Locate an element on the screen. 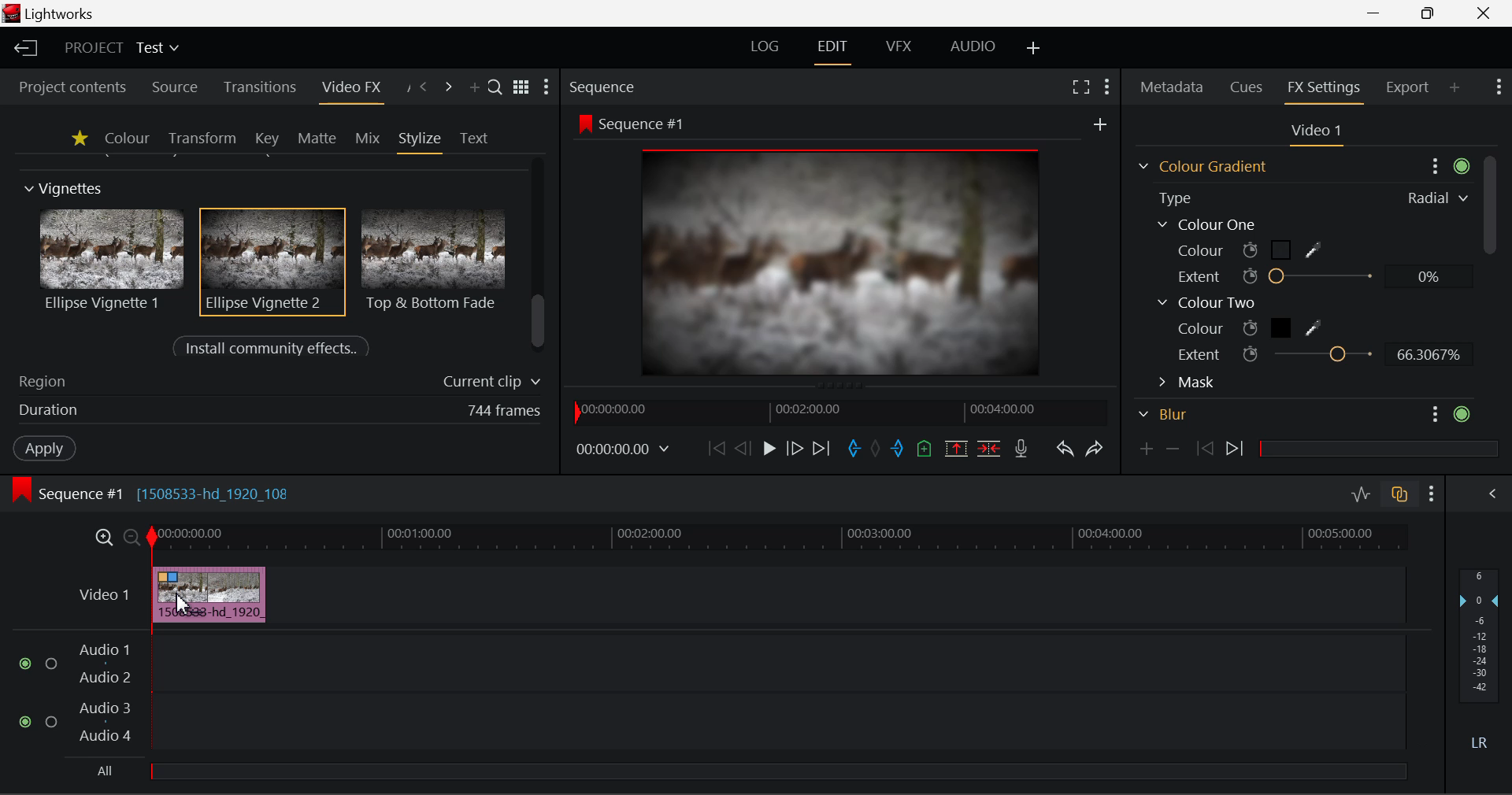  Close is located at coordinates (1482, 13).